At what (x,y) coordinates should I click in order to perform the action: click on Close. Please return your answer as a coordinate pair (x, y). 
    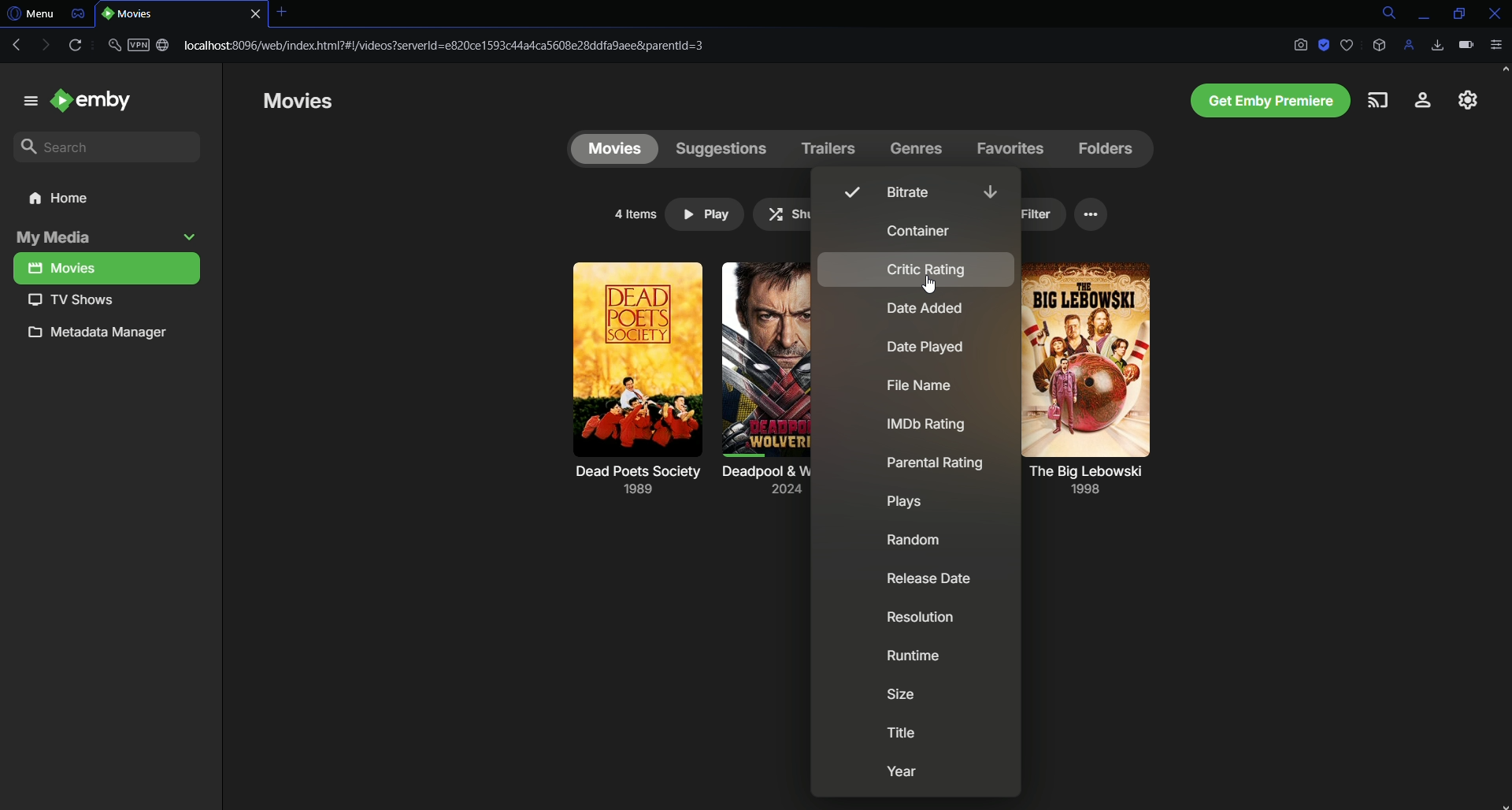
    Looking at the image, I should click on (1491, 13).